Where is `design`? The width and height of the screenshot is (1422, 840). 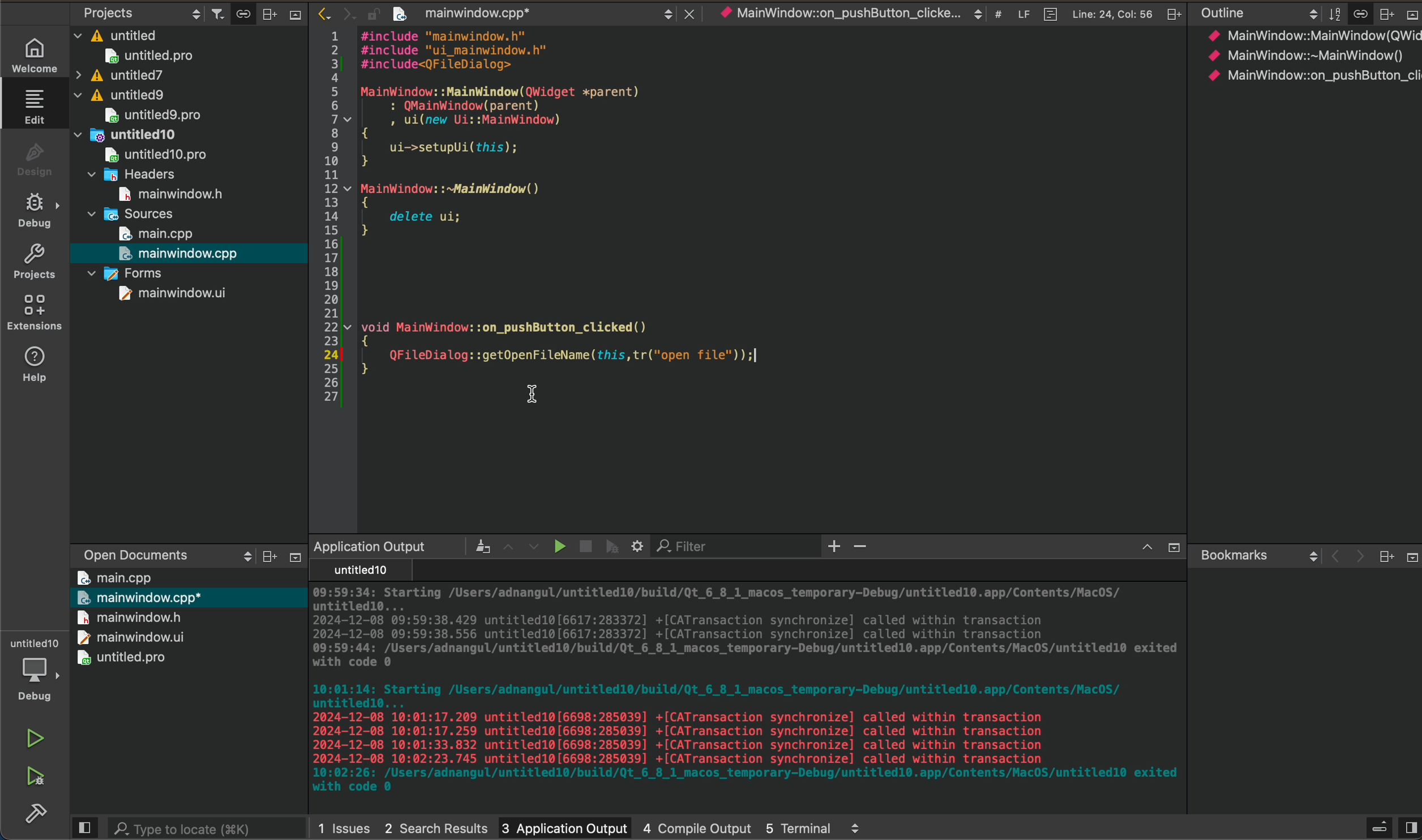 design is located at coordinates (33, 159).